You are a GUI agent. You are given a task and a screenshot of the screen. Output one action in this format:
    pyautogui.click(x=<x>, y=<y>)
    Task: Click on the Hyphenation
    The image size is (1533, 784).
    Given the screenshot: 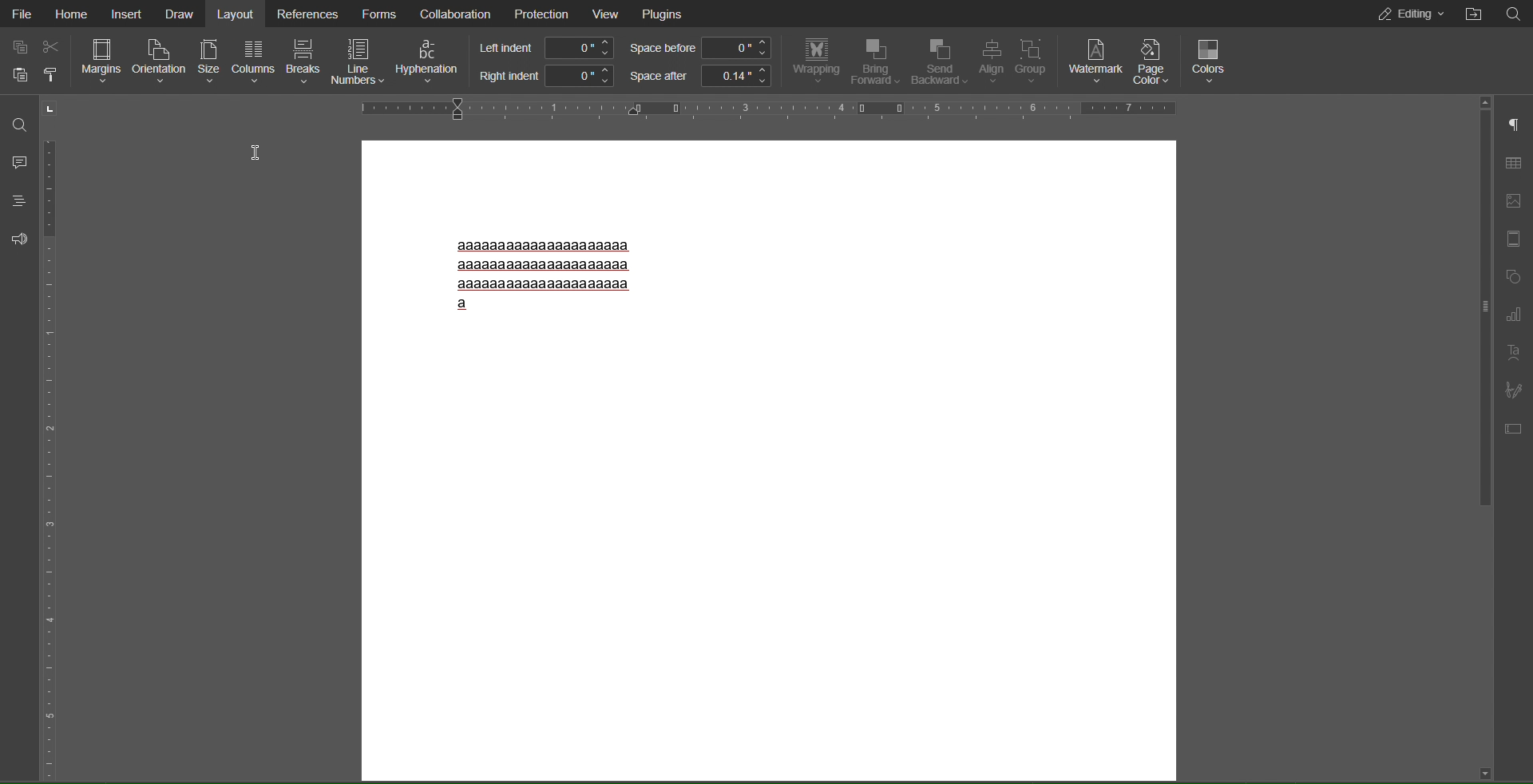 What is the action you would take?
    pyautogui.click(x=428, y=63)
    